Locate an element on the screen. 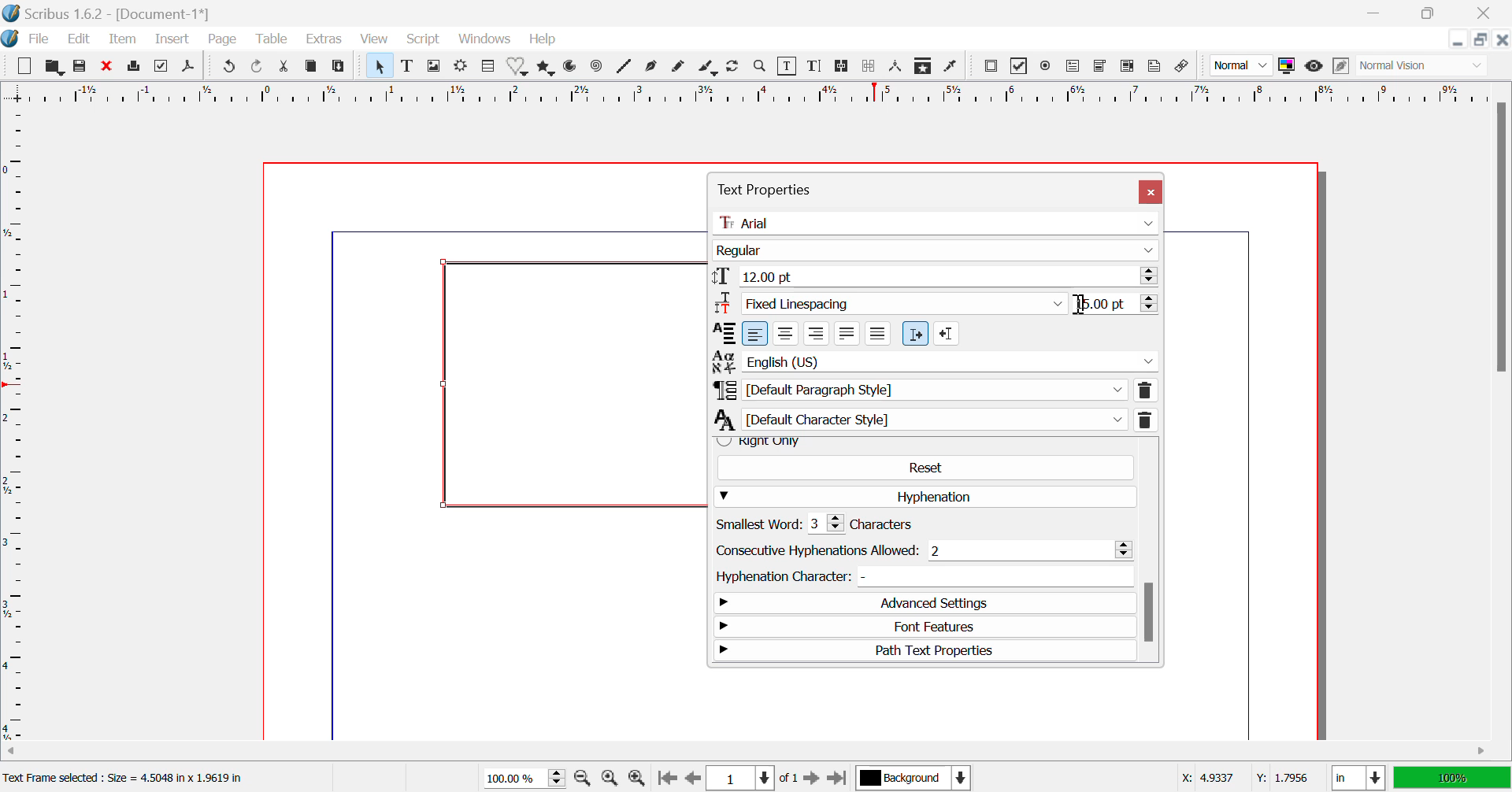 The width and height of the screenshot is (1512, 792). PDF checkbox is located at coordinates (1020, 65).